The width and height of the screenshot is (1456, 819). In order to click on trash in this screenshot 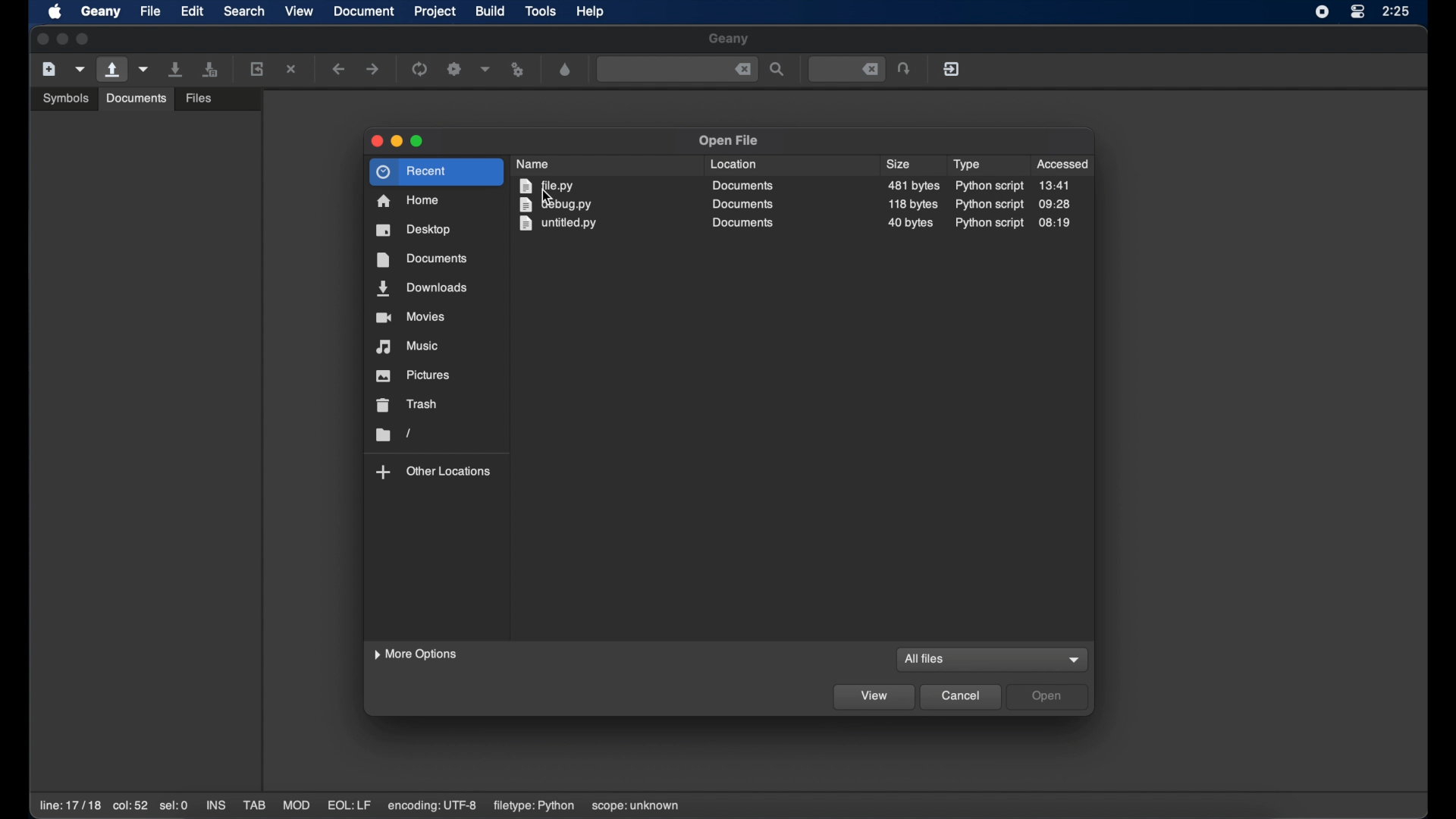, I will do `click(409, 405)`.